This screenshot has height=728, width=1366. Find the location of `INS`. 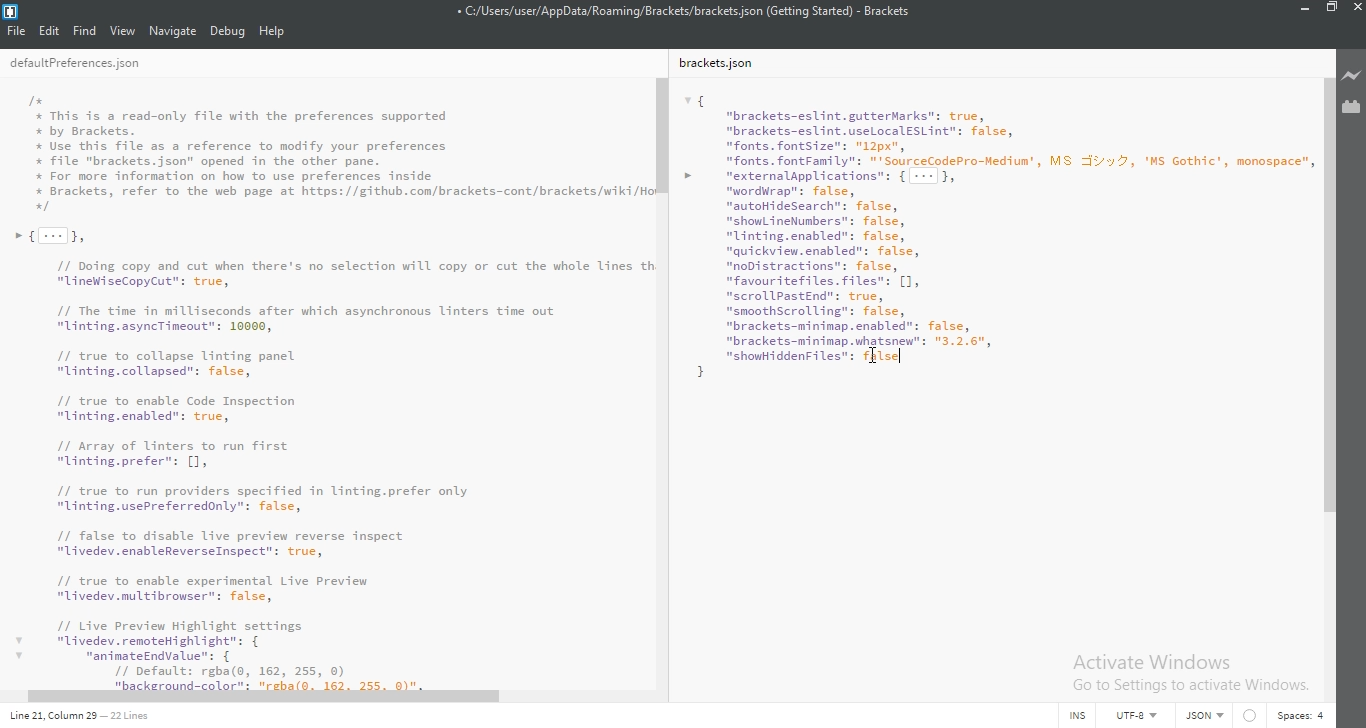

INS is located at coordinates (1084, 716).